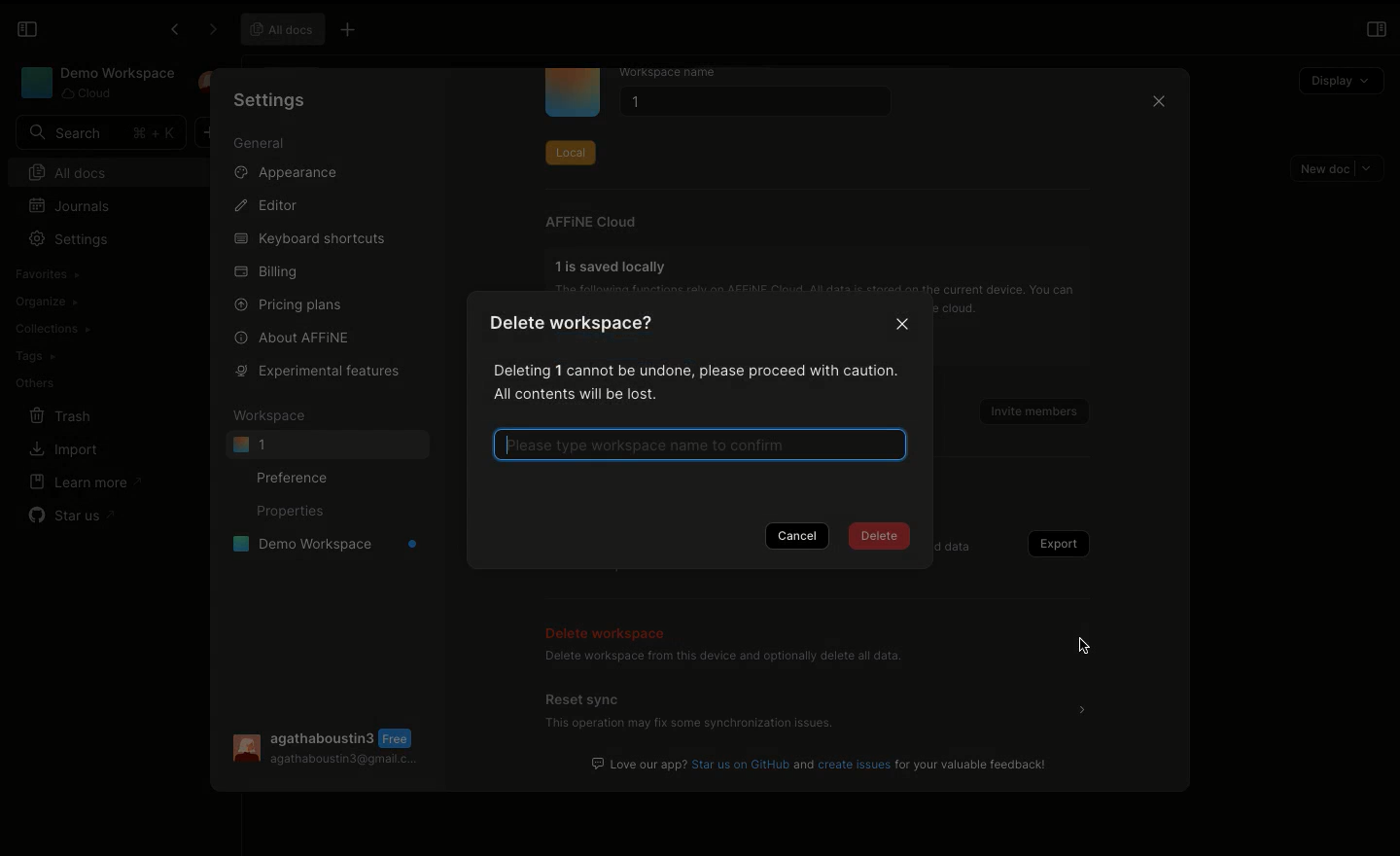 The image size is (1400, 856). I want to click on Properties, so click(289, 513).